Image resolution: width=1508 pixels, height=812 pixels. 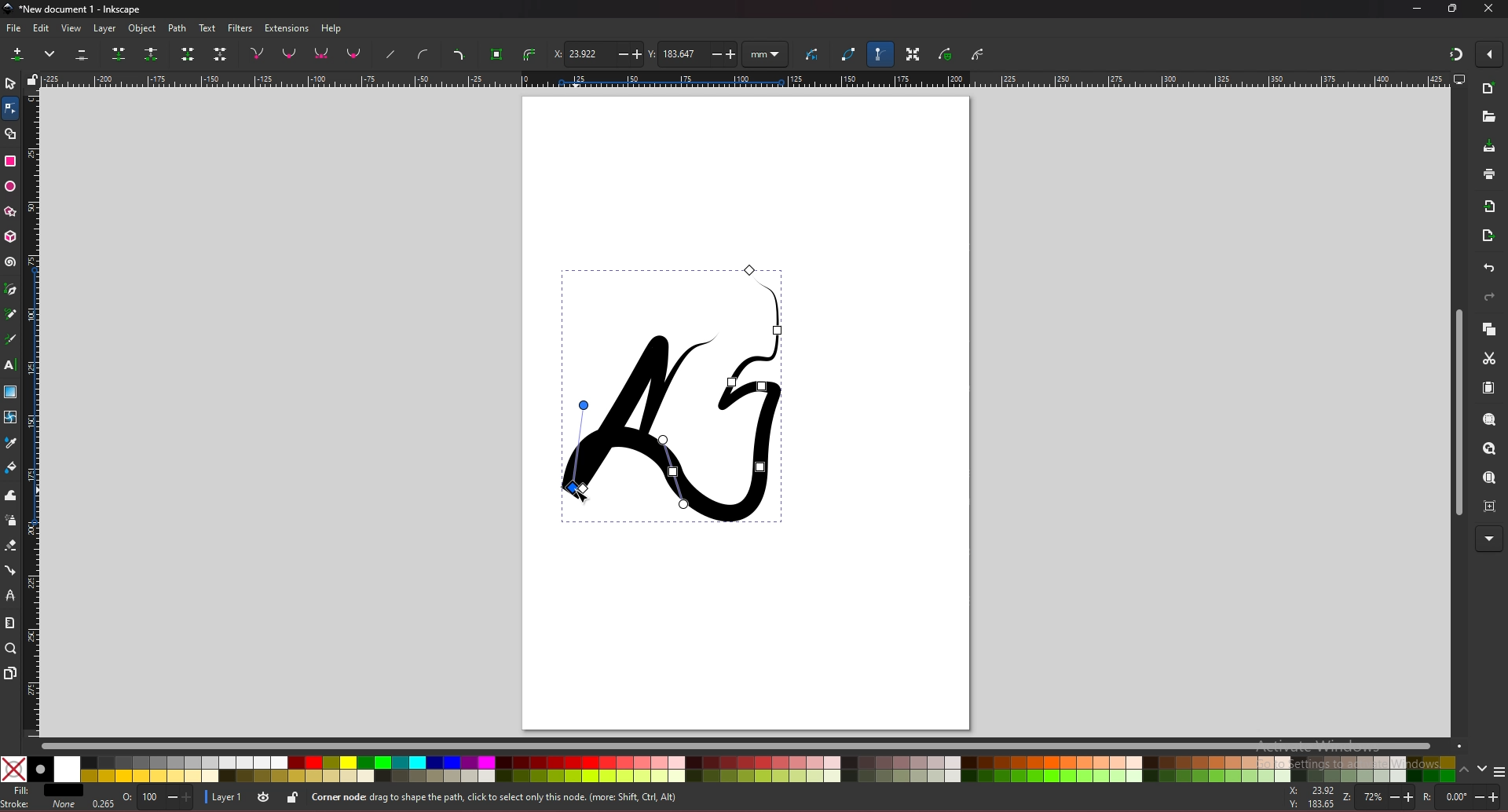 I want to click on lpe, so click(x=12, y=596).